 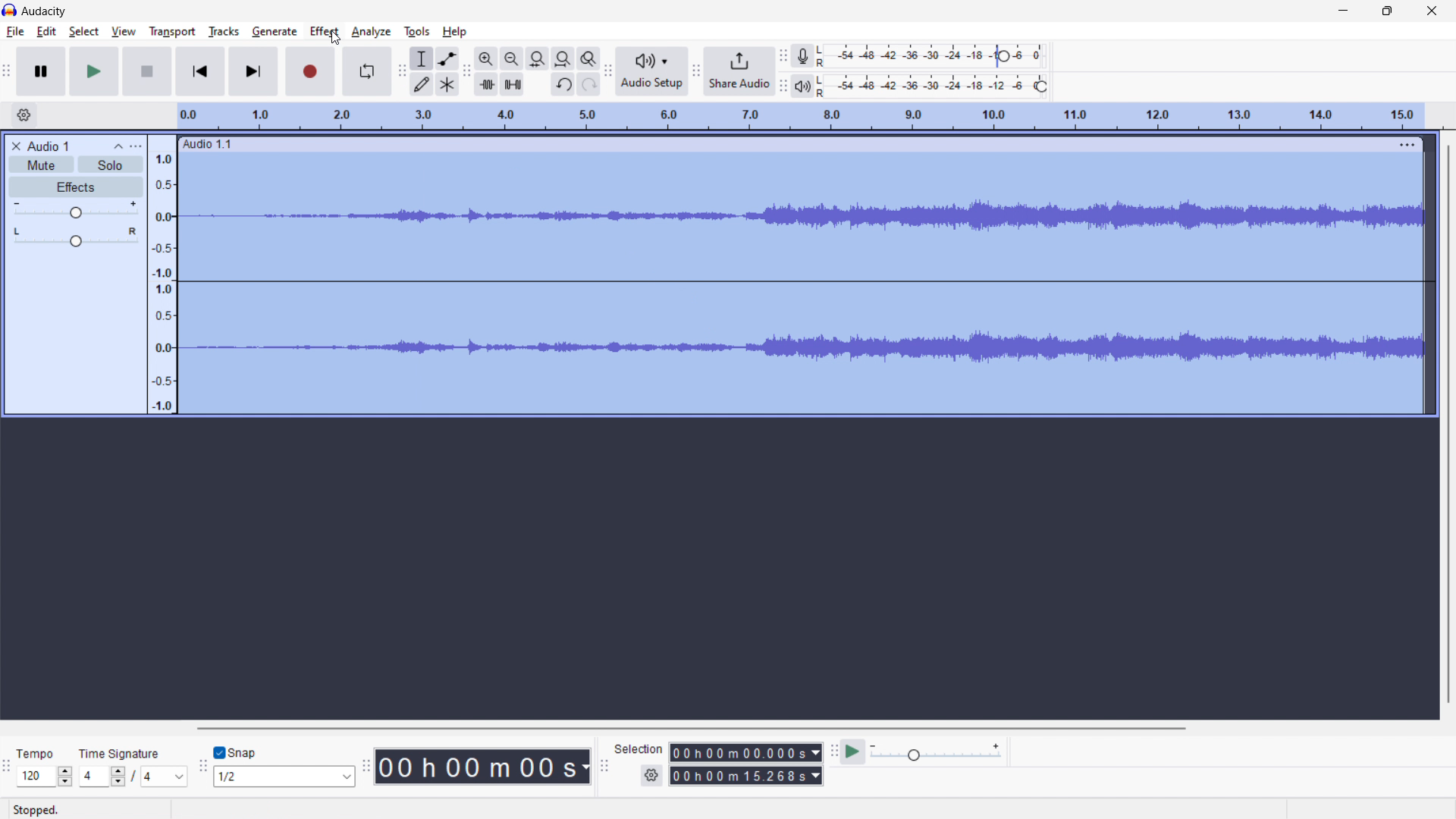 What do you see at coordinates (512, 84) in the screenshot?
I see `silence selection` at bounding box center [512, 84].